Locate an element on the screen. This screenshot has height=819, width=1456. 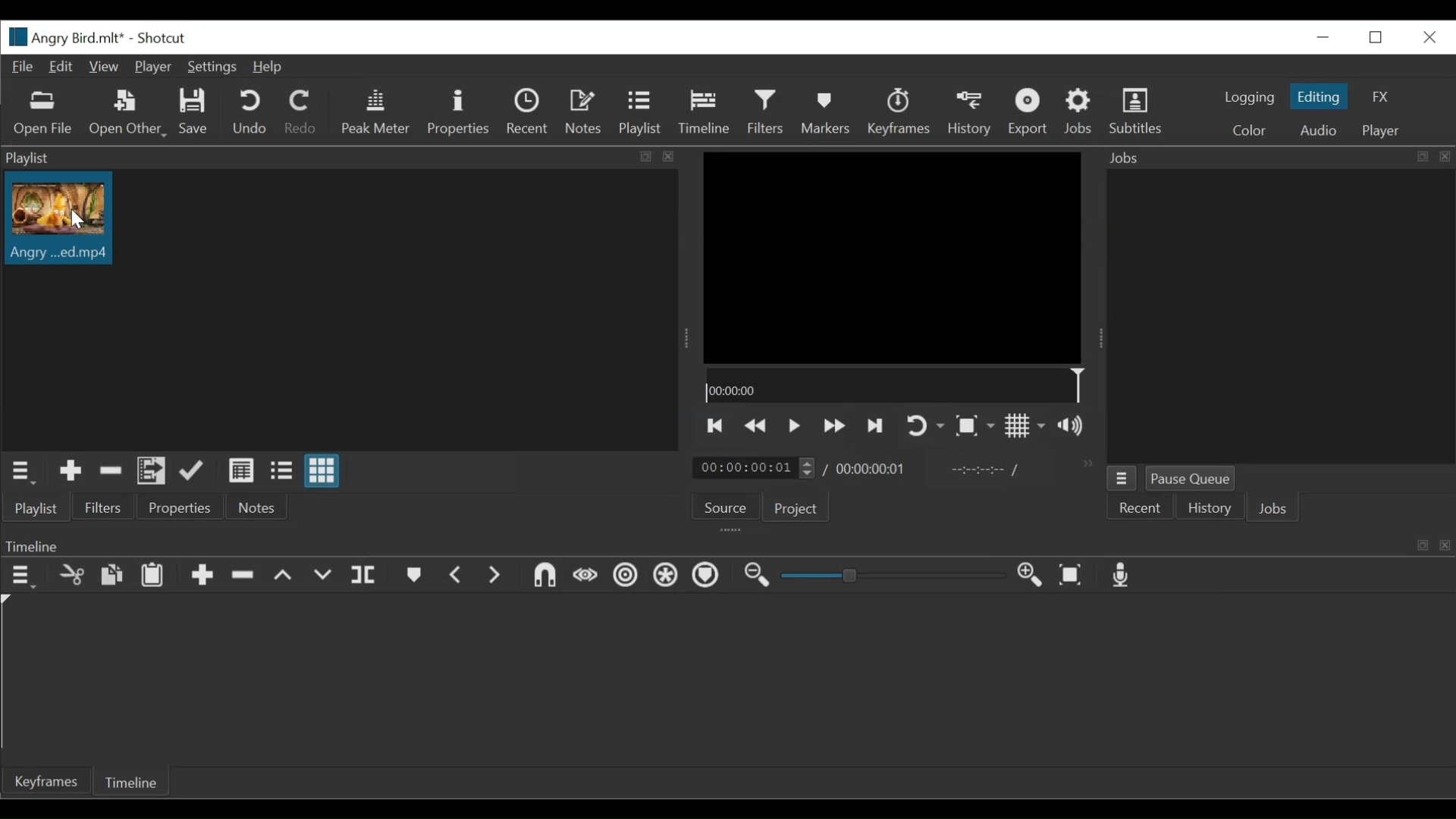
Timeline is located at coordinates (893, 385).